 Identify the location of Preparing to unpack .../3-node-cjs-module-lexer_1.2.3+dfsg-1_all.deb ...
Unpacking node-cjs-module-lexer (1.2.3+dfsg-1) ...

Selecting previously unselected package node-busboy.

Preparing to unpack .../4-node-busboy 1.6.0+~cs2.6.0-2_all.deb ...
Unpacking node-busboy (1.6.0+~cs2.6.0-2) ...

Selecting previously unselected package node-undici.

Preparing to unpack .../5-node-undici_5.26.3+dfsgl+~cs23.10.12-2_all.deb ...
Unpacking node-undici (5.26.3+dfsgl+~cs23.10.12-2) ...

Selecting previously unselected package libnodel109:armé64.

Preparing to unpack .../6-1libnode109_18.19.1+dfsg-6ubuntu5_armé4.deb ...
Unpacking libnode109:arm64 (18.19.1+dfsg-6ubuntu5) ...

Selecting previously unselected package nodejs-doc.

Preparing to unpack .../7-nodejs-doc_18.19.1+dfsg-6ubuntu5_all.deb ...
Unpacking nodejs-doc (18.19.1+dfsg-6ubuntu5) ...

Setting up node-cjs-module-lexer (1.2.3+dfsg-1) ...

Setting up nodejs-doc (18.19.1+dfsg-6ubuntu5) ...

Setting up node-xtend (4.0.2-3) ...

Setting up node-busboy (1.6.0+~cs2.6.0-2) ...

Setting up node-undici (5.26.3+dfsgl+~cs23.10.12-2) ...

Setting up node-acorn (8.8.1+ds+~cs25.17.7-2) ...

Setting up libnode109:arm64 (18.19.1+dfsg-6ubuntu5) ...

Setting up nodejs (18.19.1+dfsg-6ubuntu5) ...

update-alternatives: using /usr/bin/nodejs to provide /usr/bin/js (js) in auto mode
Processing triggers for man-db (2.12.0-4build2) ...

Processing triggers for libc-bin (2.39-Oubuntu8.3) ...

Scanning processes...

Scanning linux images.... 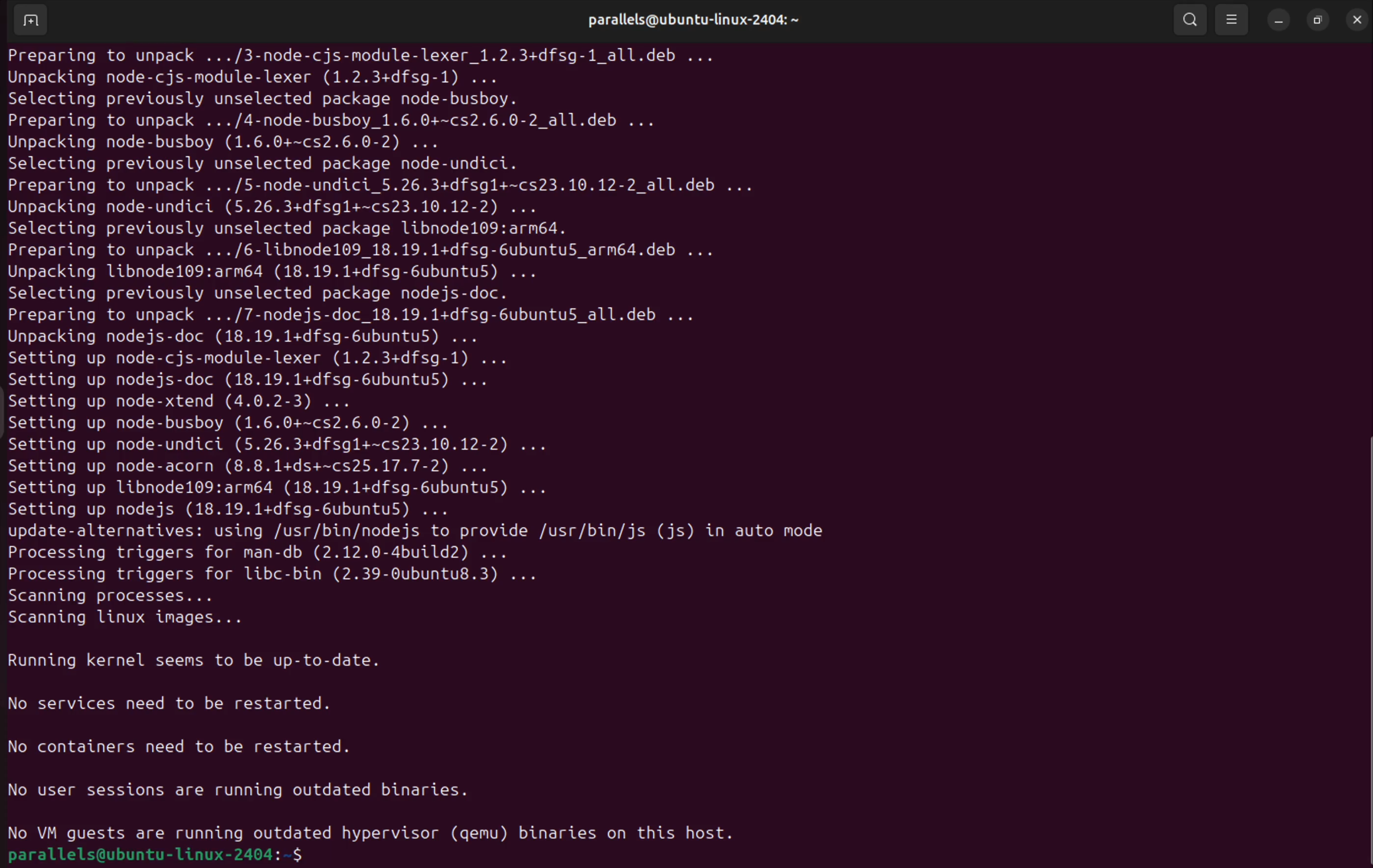
(458, 336).